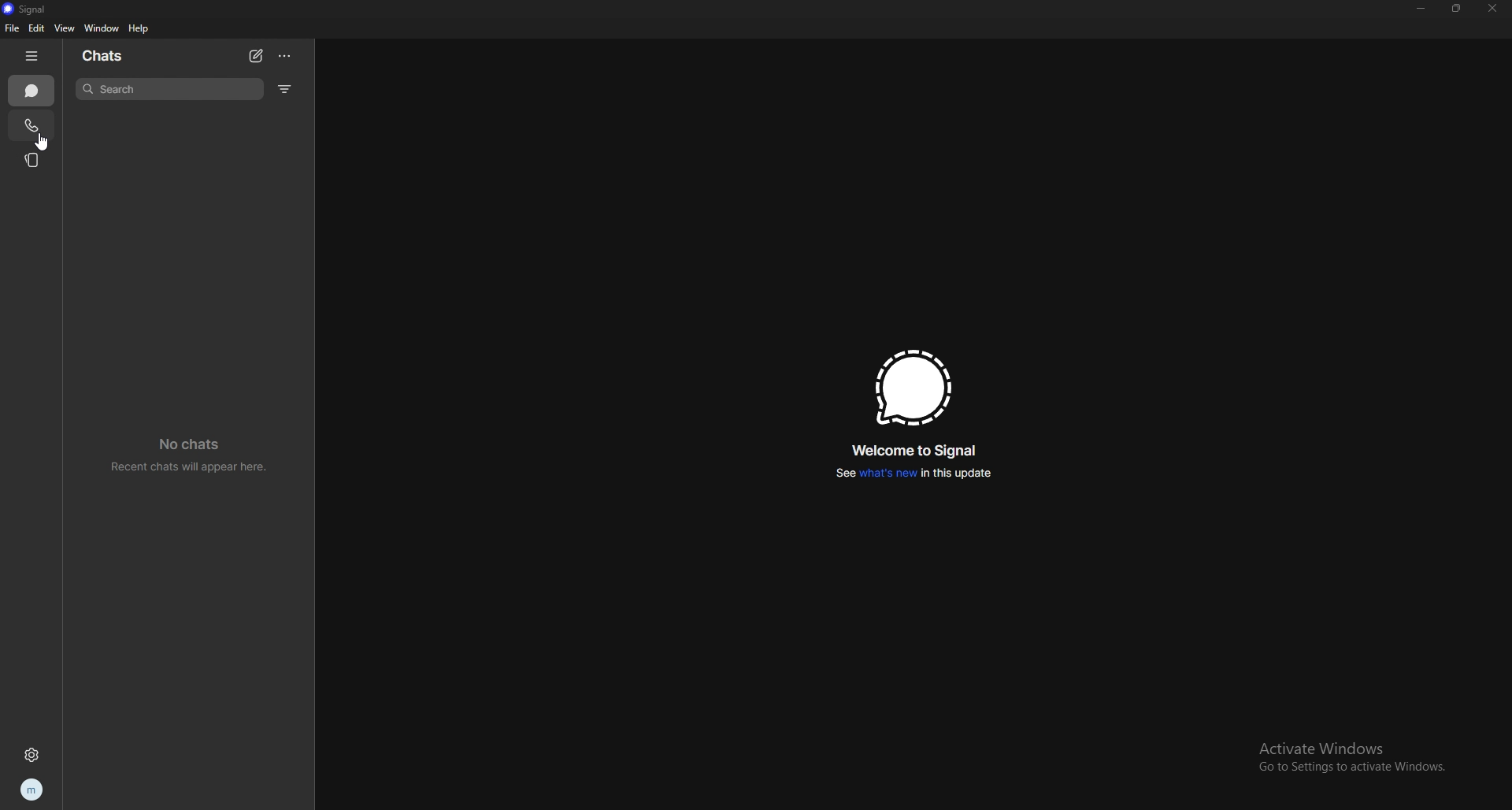  Describe the element at coordinates (31, 790) in the screenshot. I see `profile` at that location.